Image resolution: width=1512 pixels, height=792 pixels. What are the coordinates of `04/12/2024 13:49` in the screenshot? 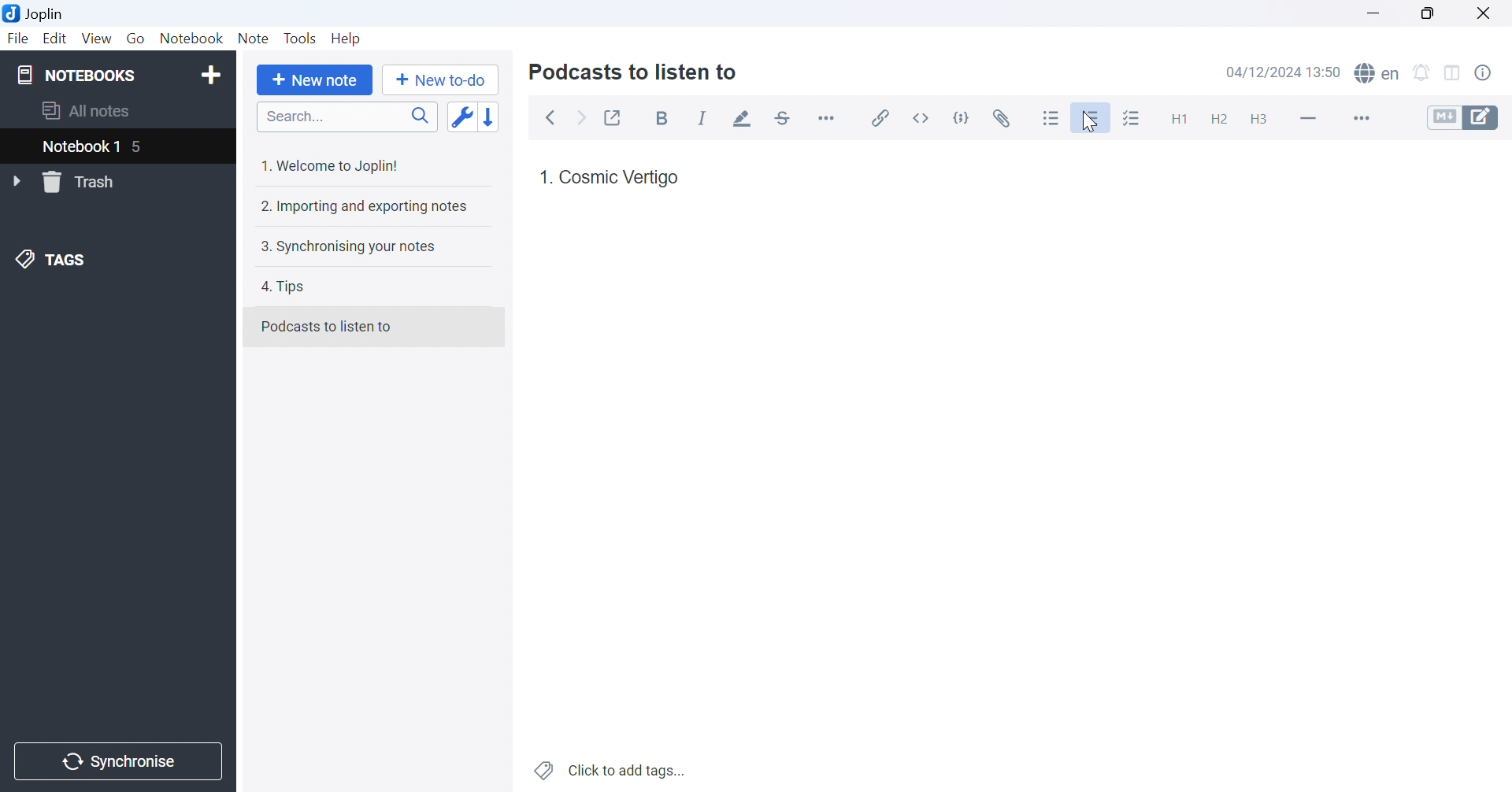 It's located at (1284, 72).